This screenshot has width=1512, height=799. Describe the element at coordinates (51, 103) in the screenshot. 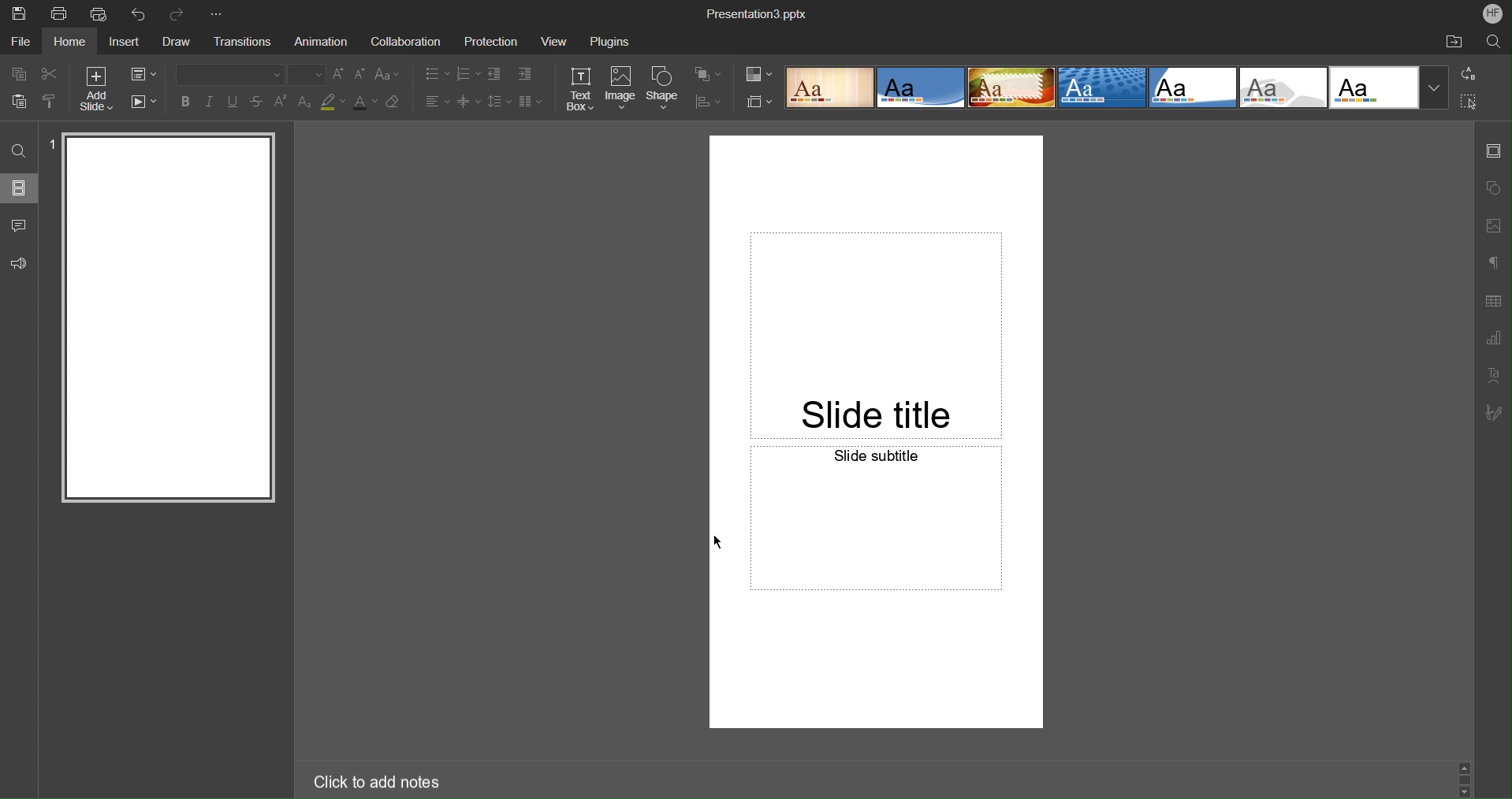

I see `Copy Style` at that location.